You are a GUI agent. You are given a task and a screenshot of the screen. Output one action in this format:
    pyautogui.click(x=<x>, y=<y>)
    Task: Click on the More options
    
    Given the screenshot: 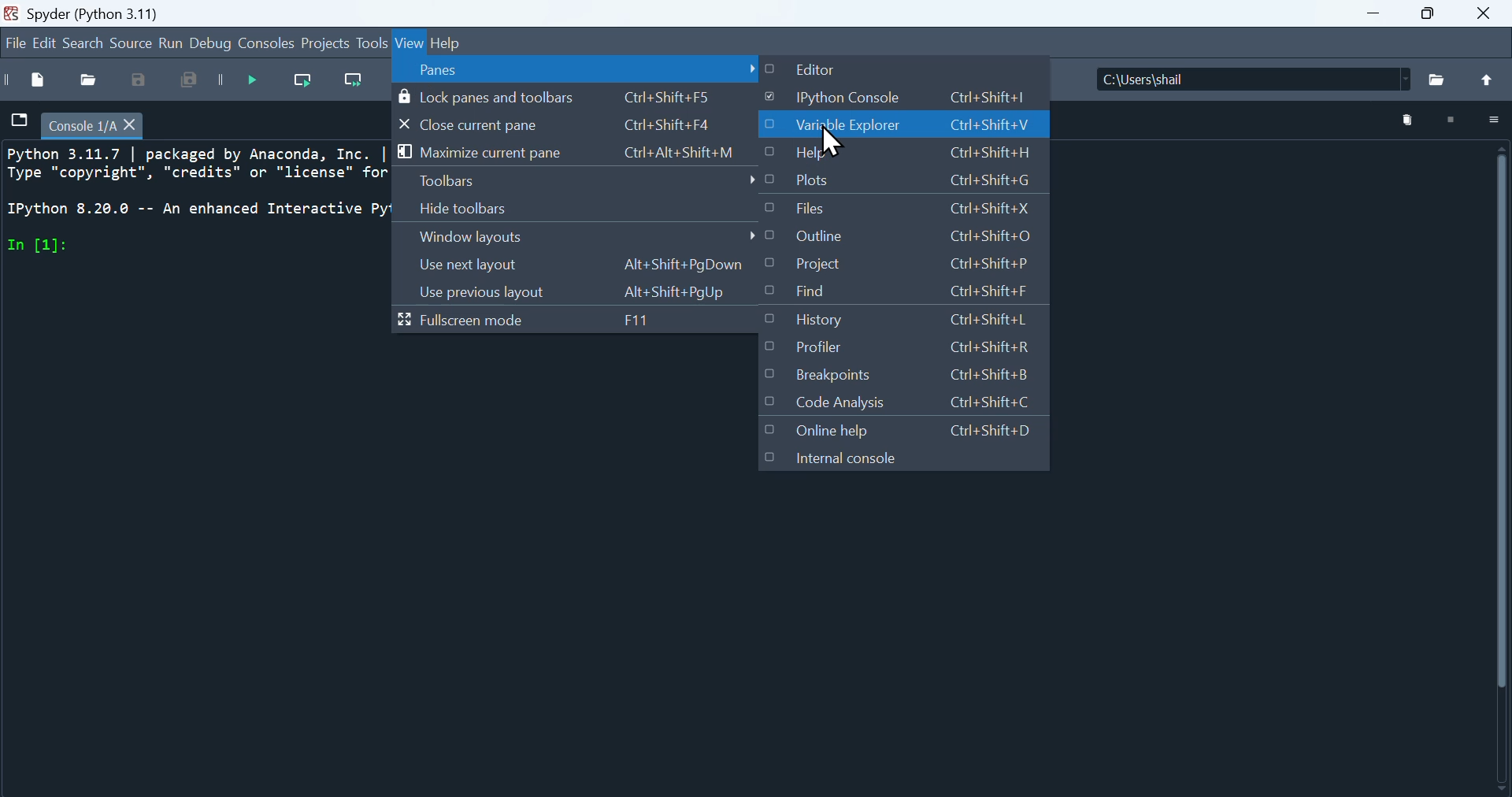 What is the action you would take?
    pyautogui.click(x=1494, y=119)
    